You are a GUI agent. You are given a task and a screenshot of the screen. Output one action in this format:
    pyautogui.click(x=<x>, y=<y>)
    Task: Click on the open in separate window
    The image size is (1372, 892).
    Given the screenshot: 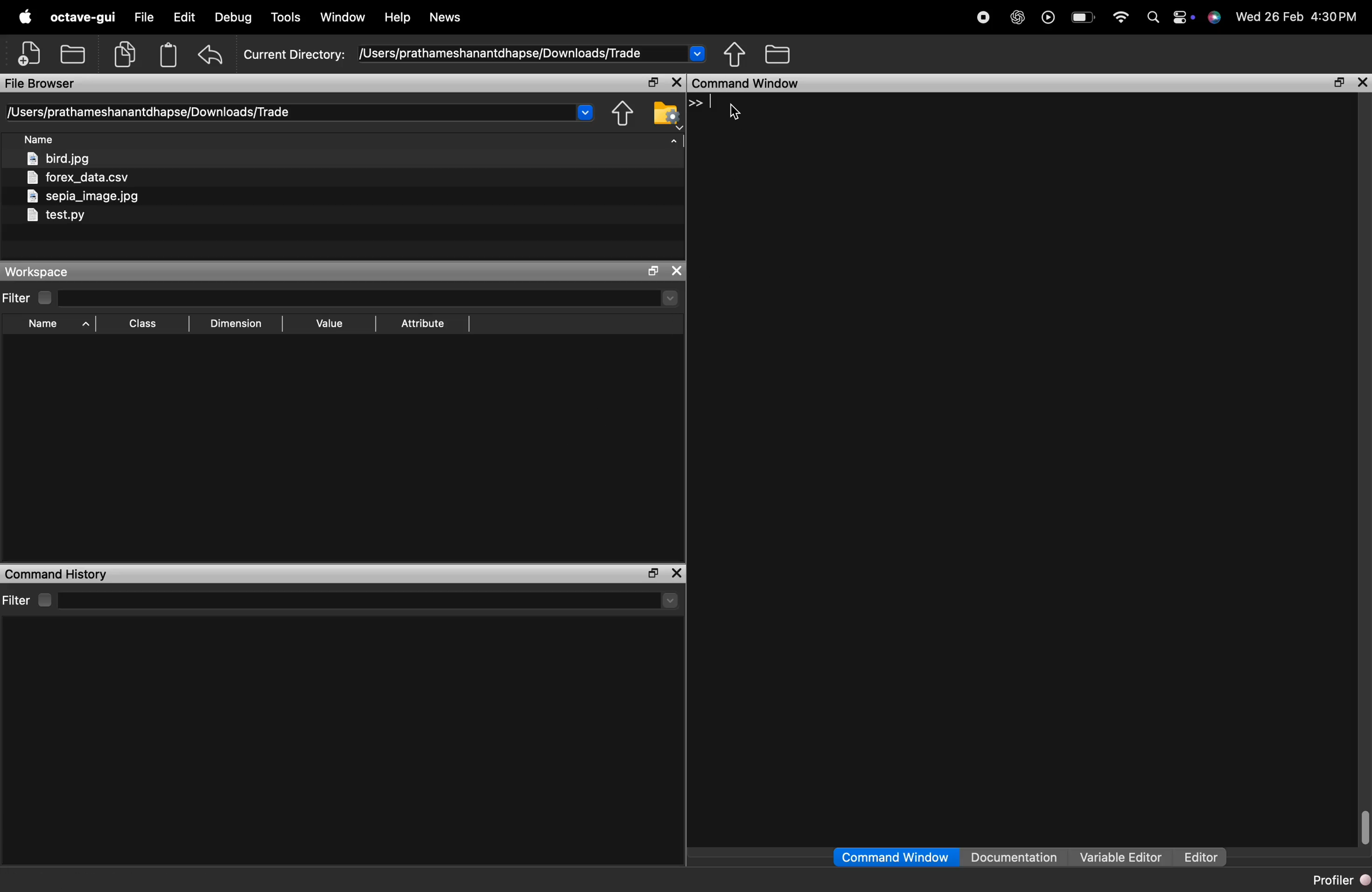 What is the action you would take?
    pyautogui.click(x=654, y=270)
    